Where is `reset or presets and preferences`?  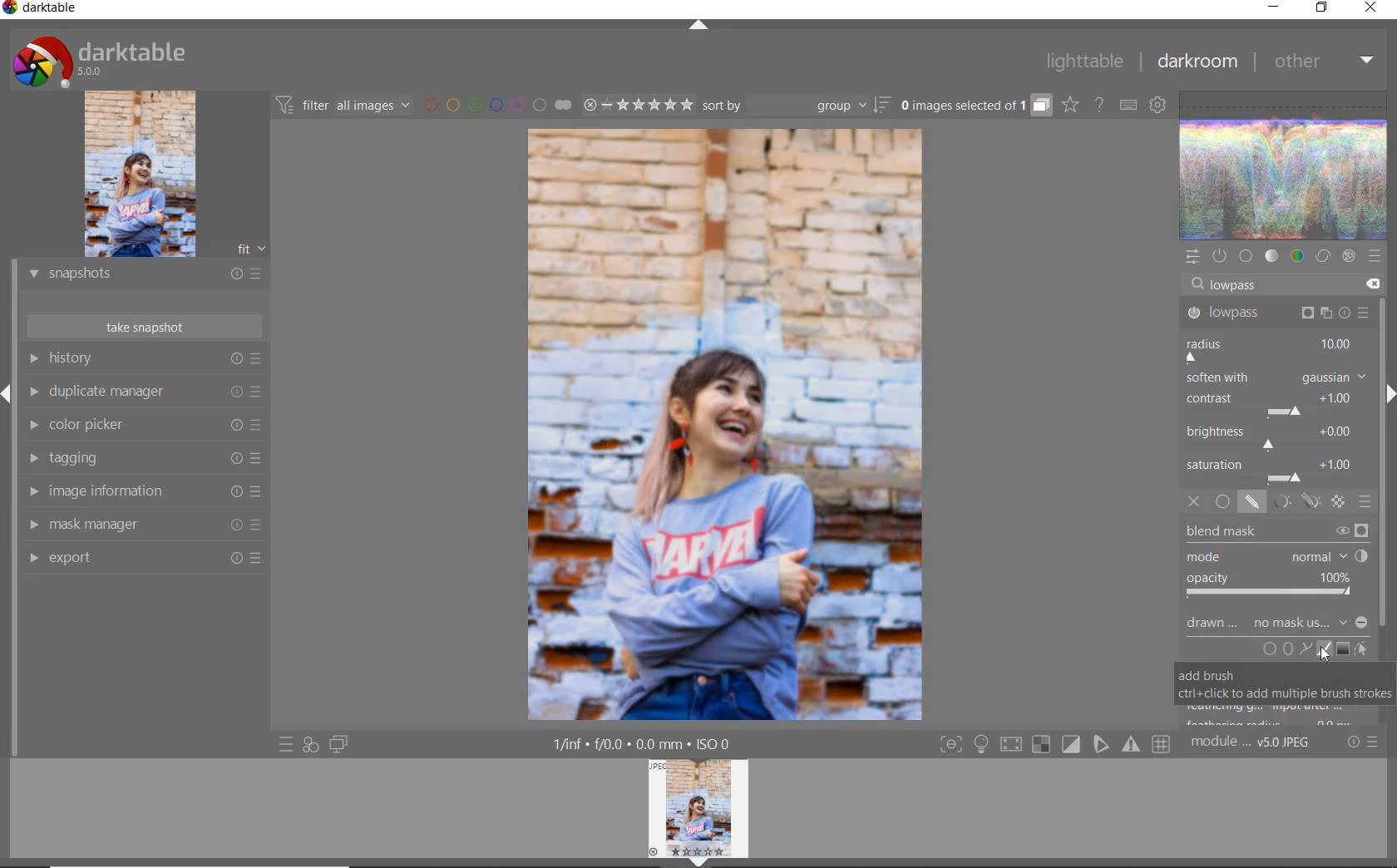 reset or presets and preferences is located at coordinates (1364, 742).